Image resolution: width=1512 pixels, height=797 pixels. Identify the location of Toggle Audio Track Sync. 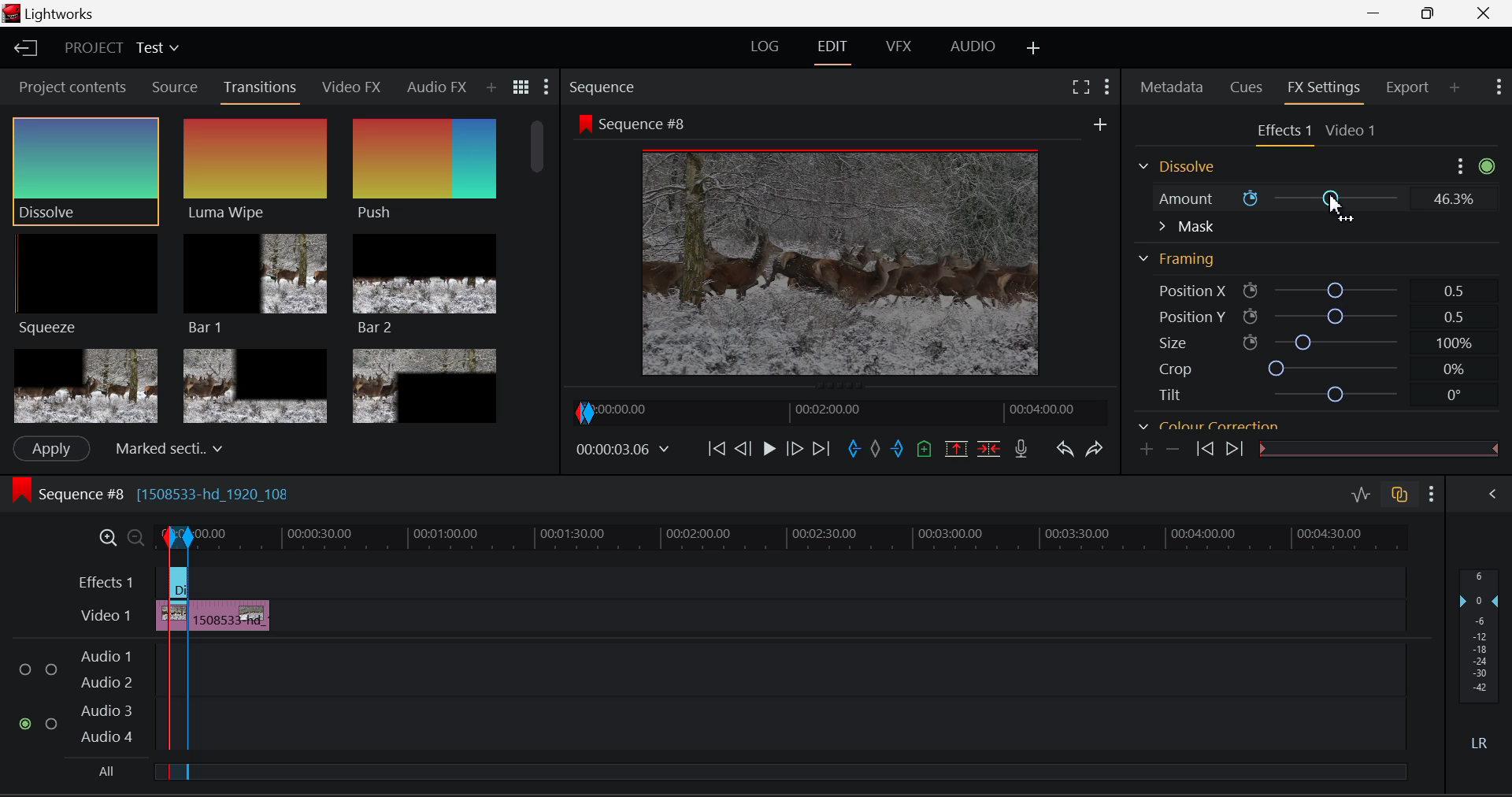
(1402, 496).